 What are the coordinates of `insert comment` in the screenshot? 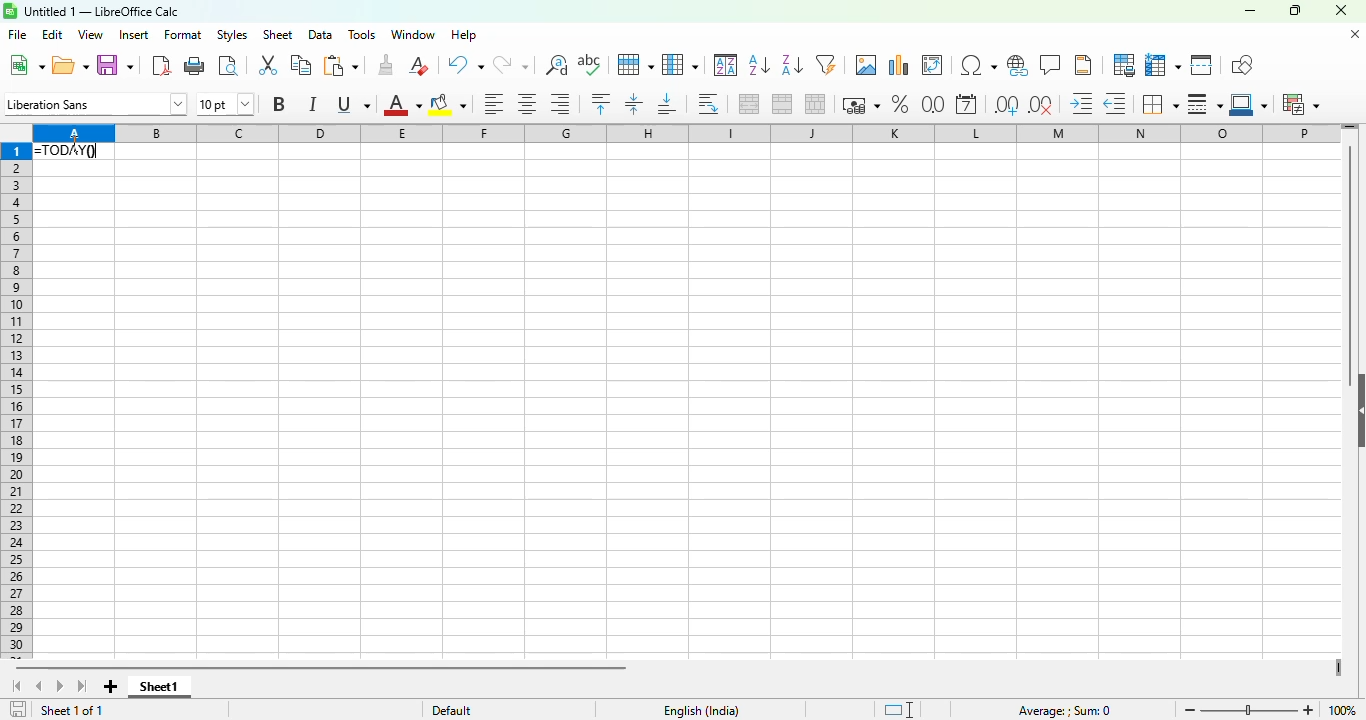 It's located at (1051, 65).